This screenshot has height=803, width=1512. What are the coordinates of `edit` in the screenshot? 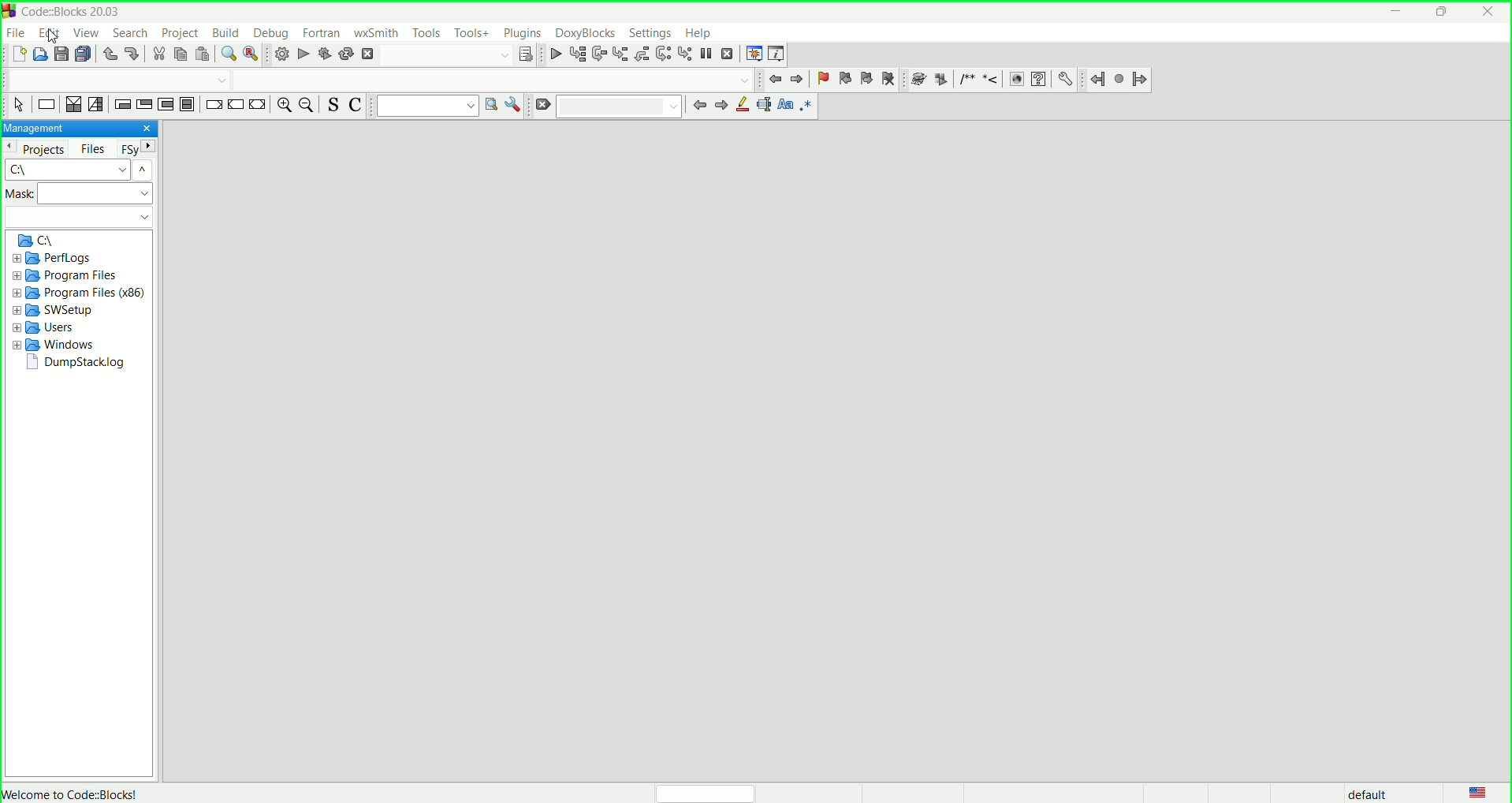 It's located at (47, 32).